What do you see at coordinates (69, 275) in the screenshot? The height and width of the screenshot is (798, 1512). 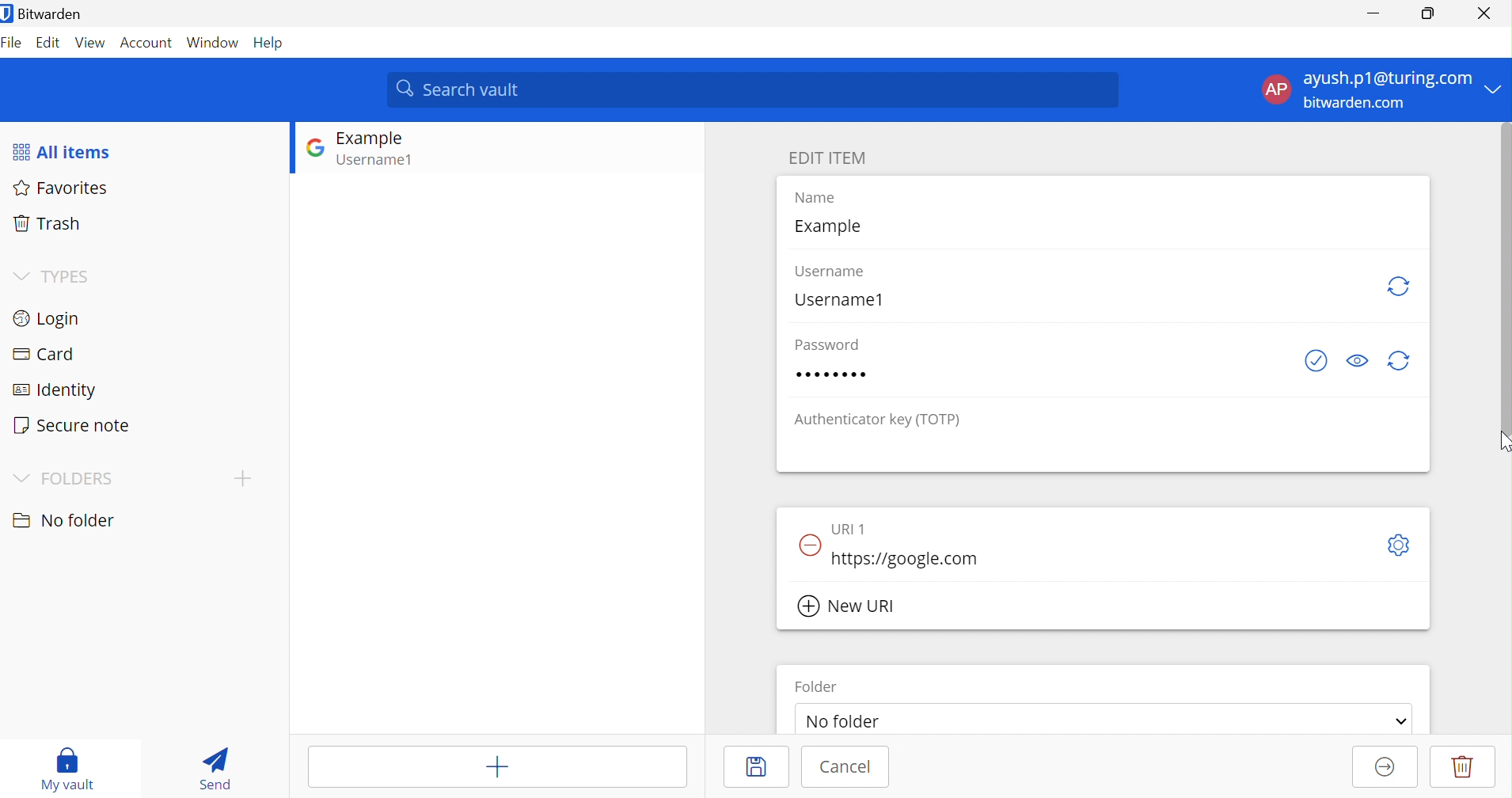 I see `TYPES` at bounding box center [69, 275].